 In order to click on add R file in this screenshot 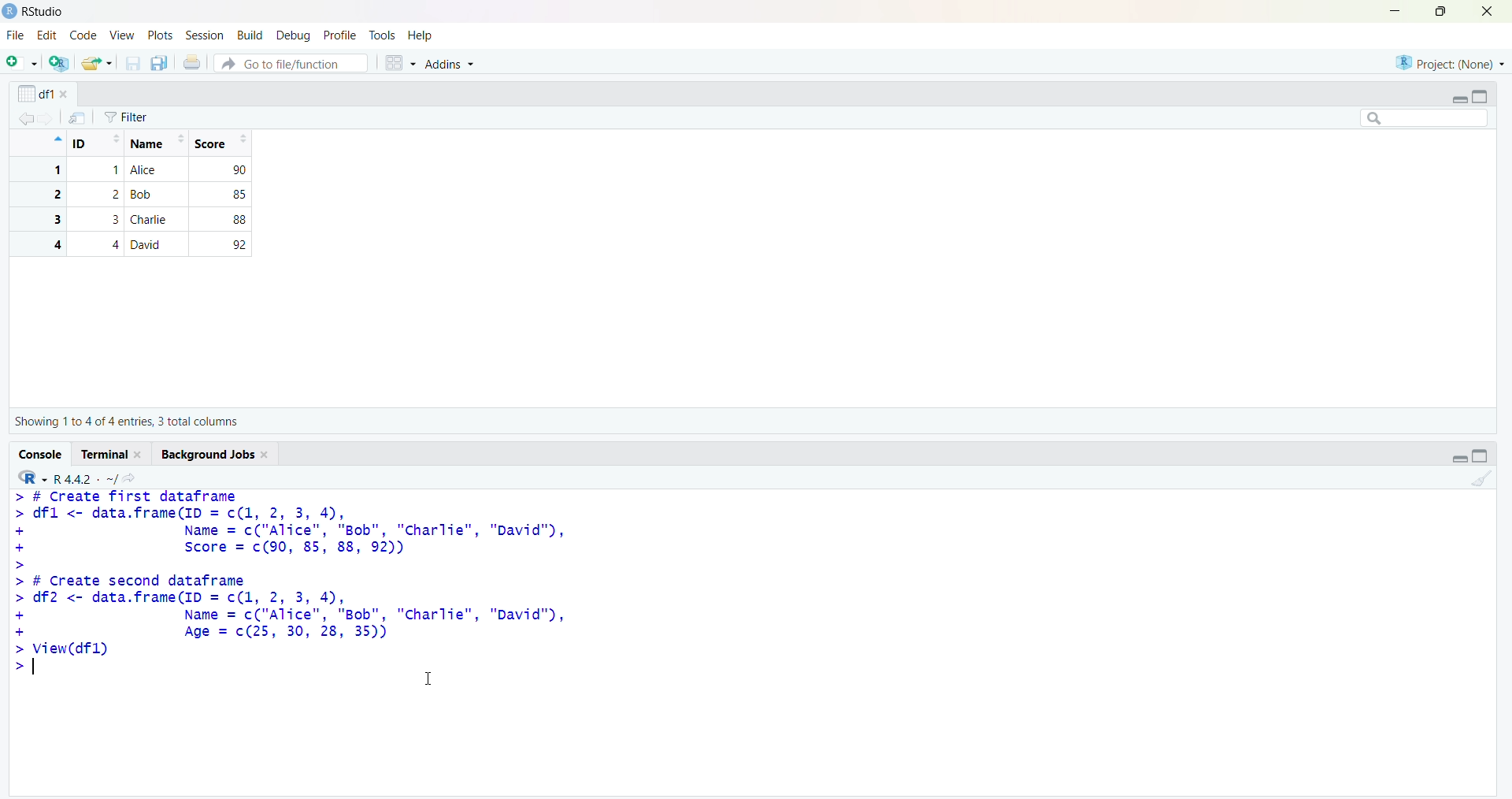, I will do `click(60, 63)`.